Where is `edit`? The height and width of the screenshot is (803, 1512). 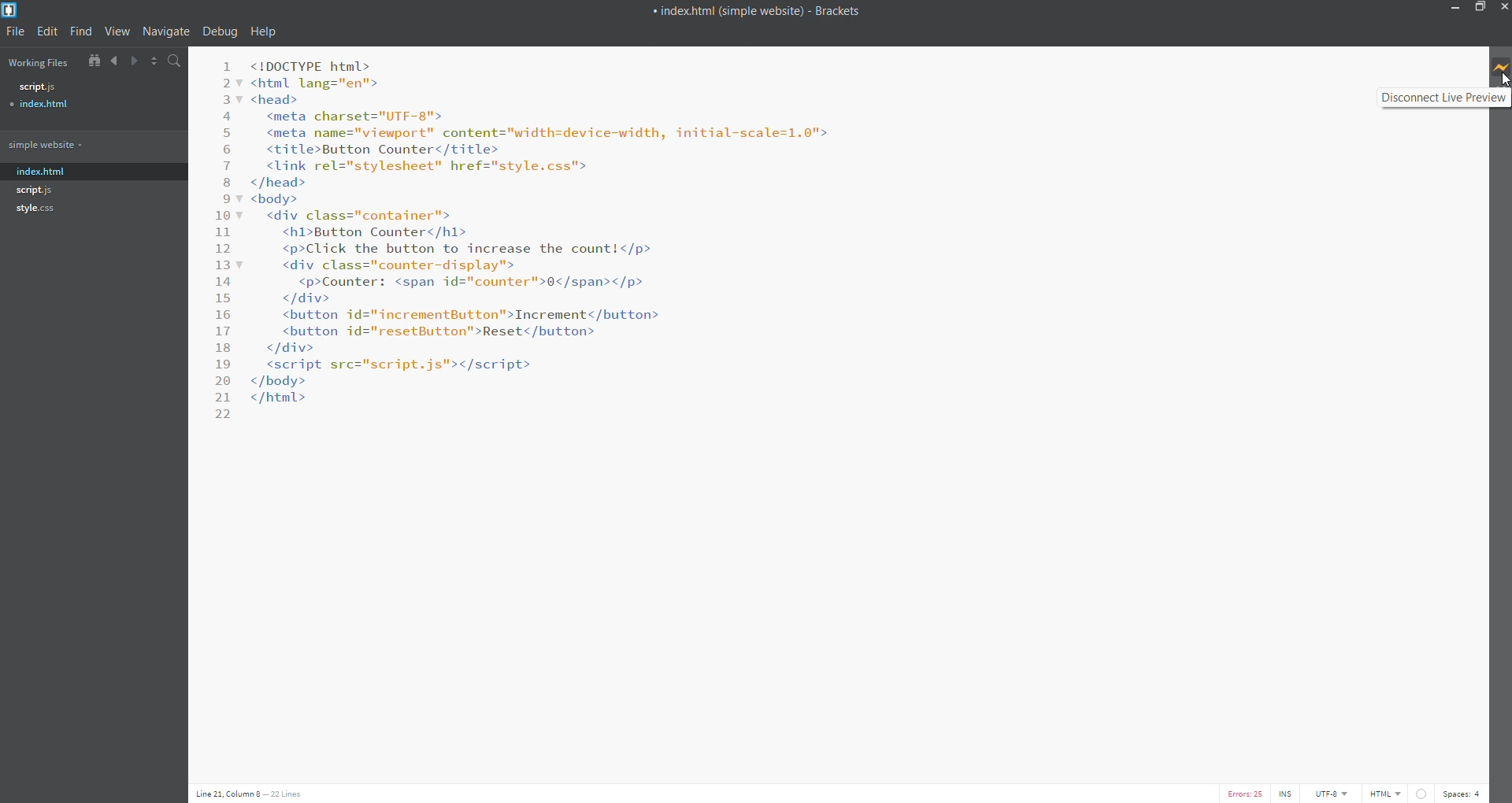
edit is located at coordinates (50, 31).